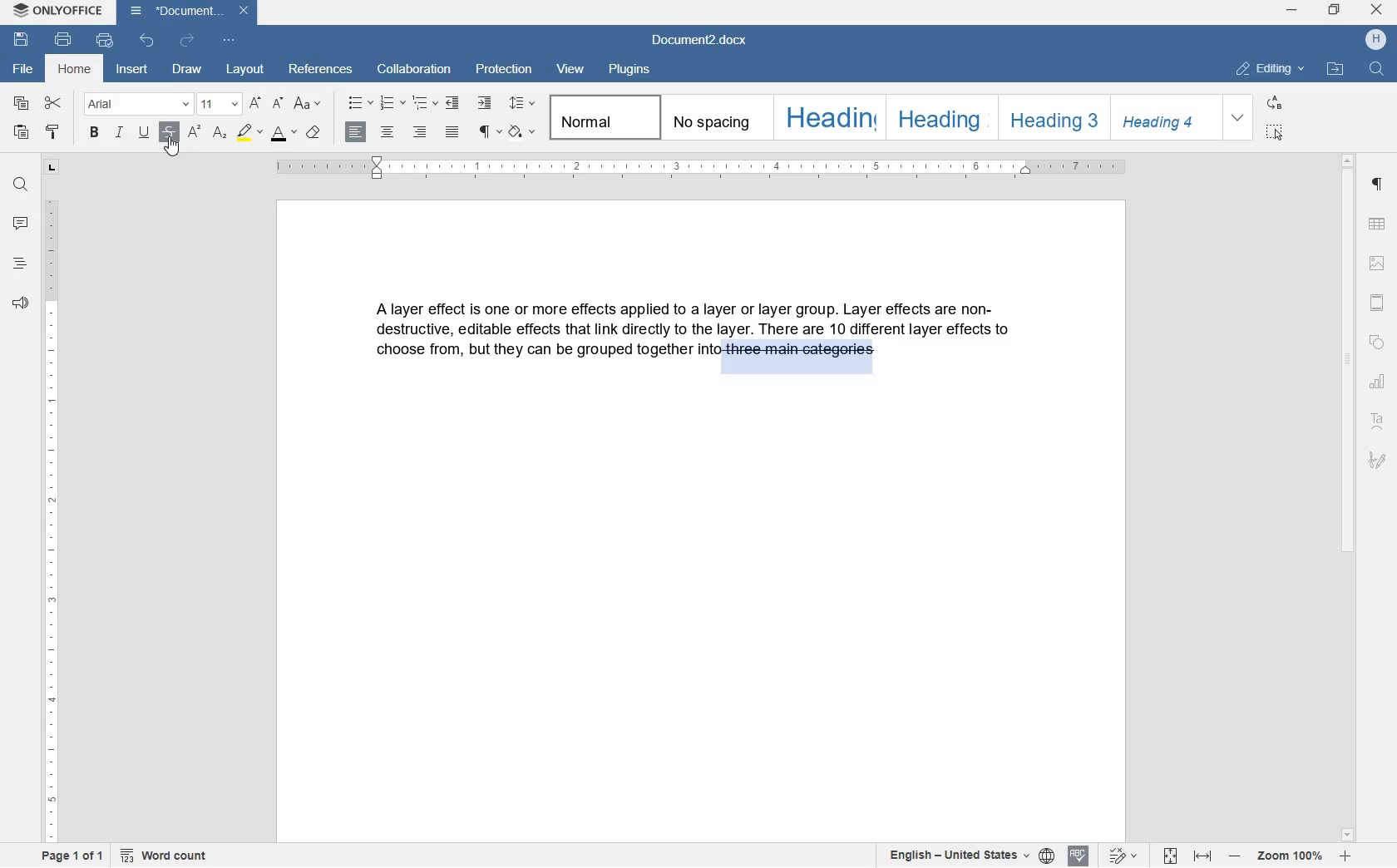 The height and width of the screenshot is (868, 1397). What do you see at coordinates (146, 132) in the screenshot?
I see `underline` at bounding box center [146, 132].